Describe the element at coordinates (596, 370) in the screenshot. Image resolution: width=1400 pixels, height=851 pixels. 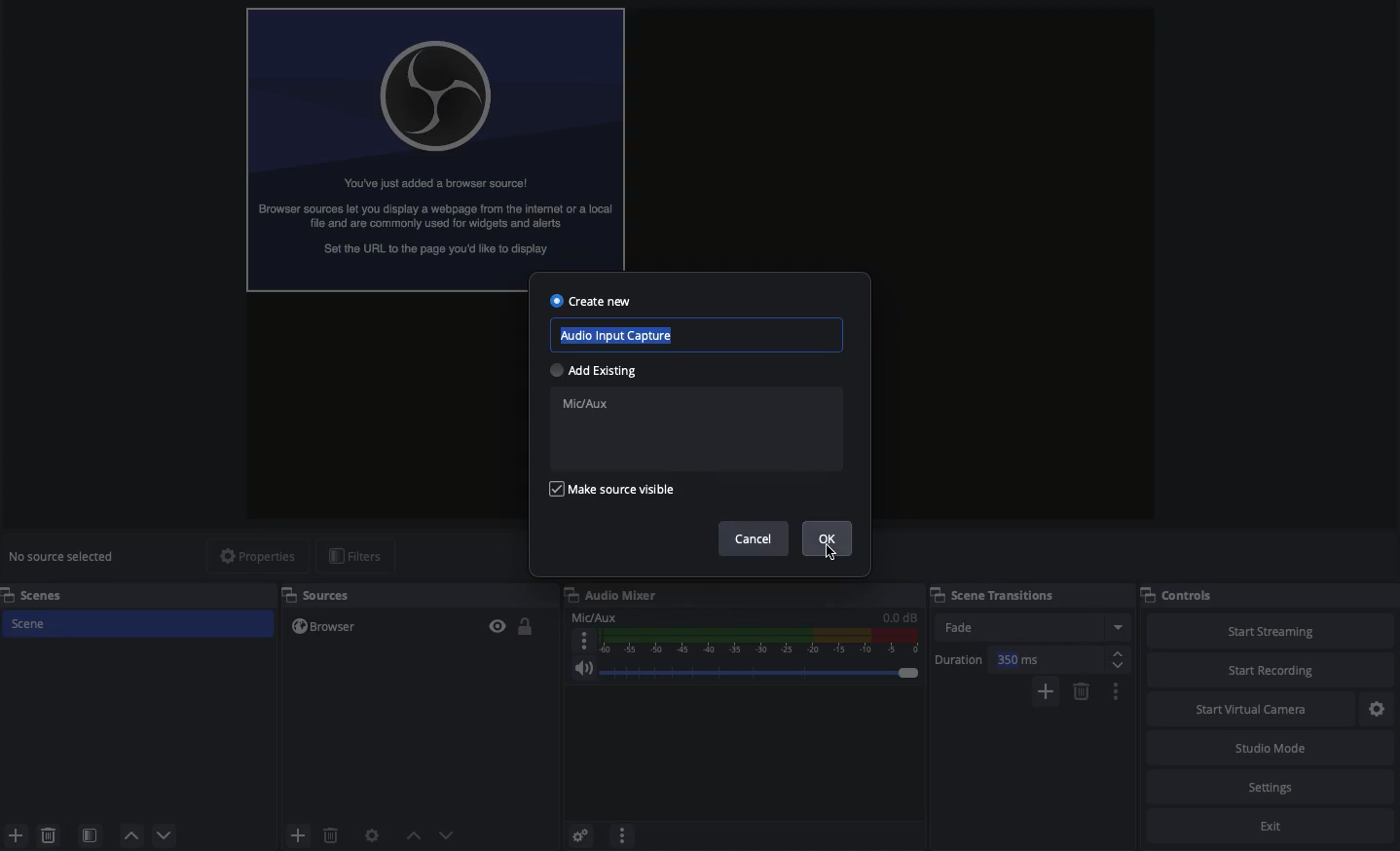
I see `Add existing` at that location.